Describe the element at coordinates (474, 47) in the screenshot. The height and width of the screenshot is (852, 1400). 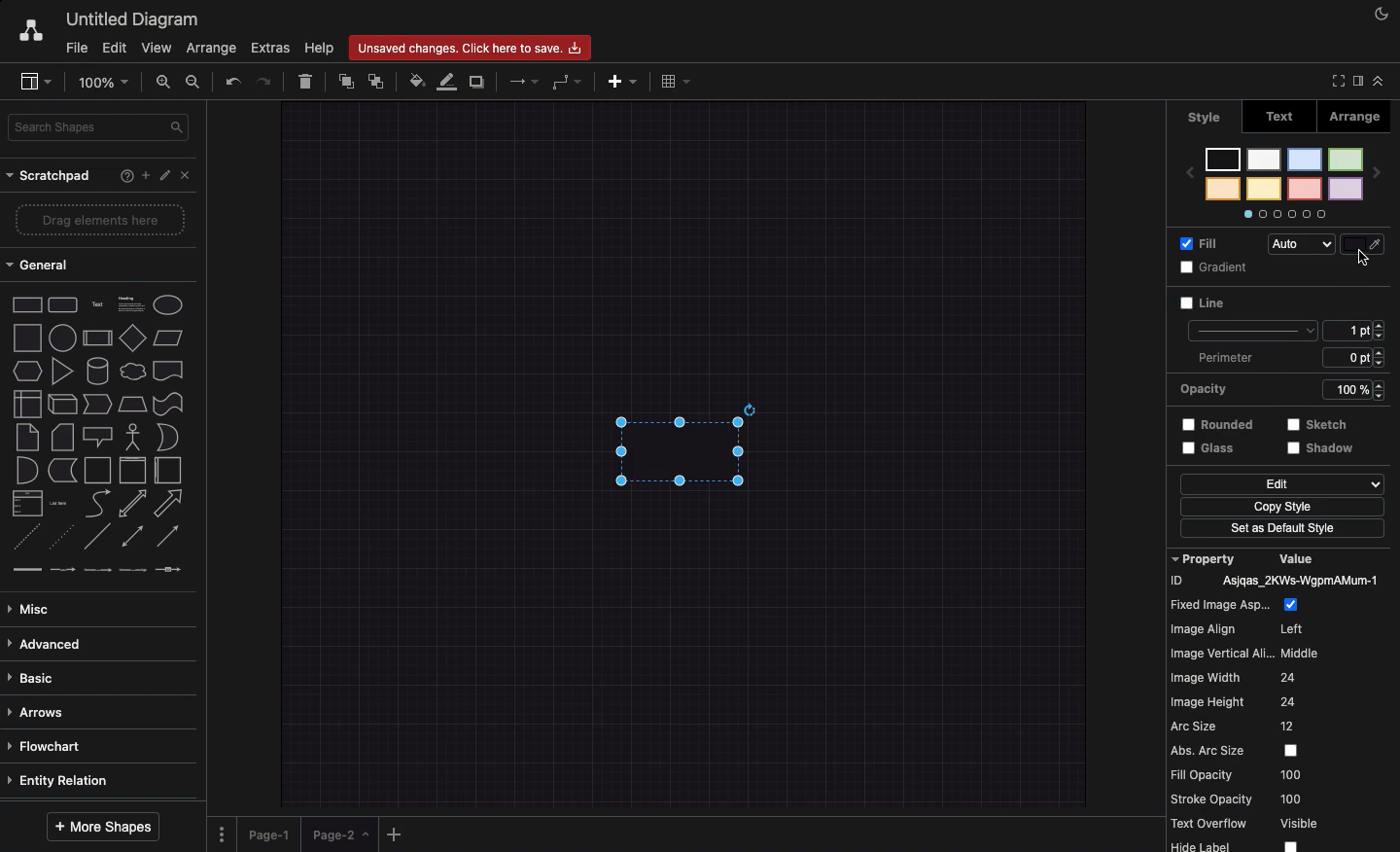
I see `Unsaved changes. click here to save` at that location.